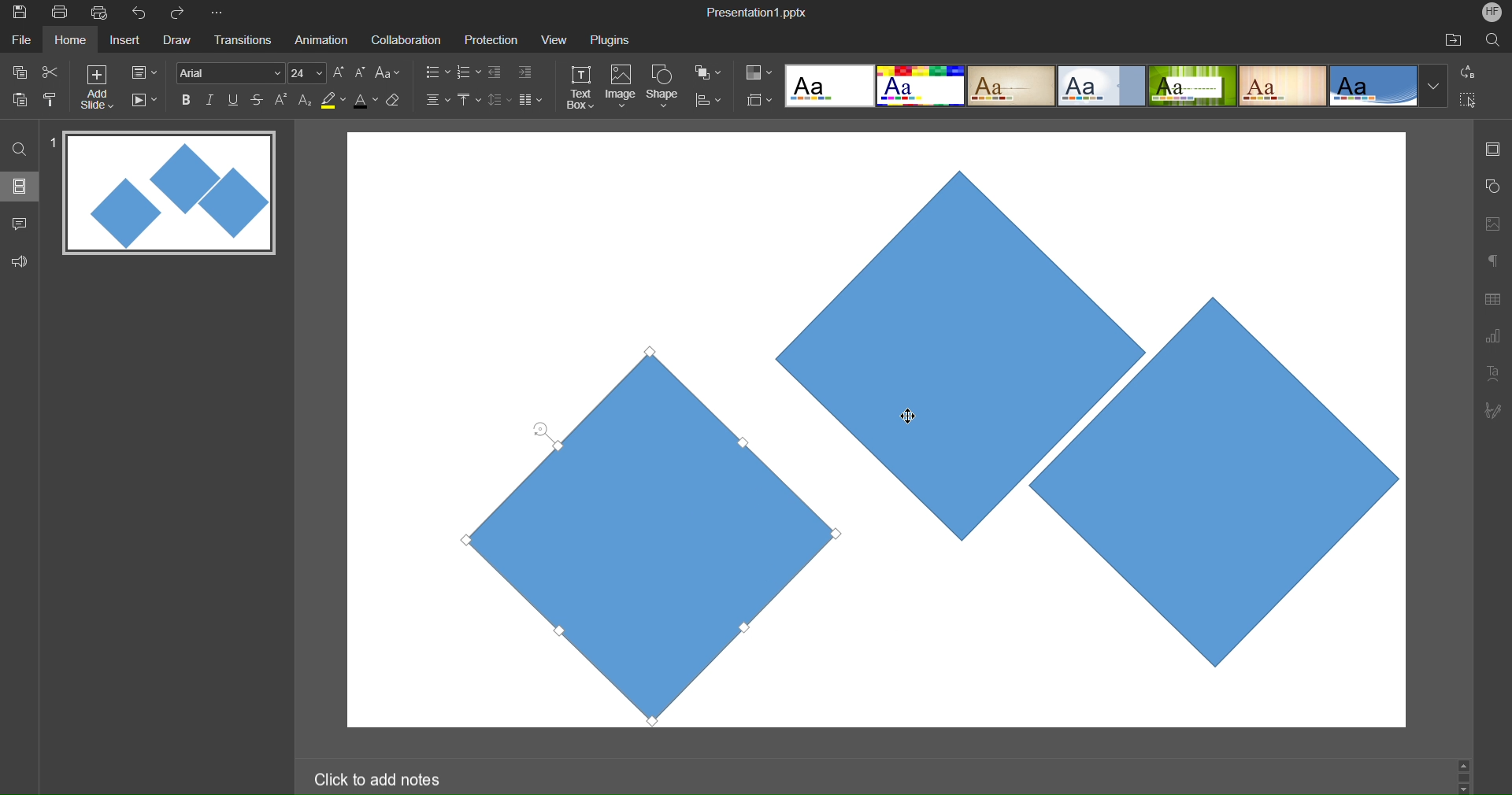  What do you see at coordinates (165, 194) in the screenshot?
I see `slide 1` at bounding box center [165, 194].